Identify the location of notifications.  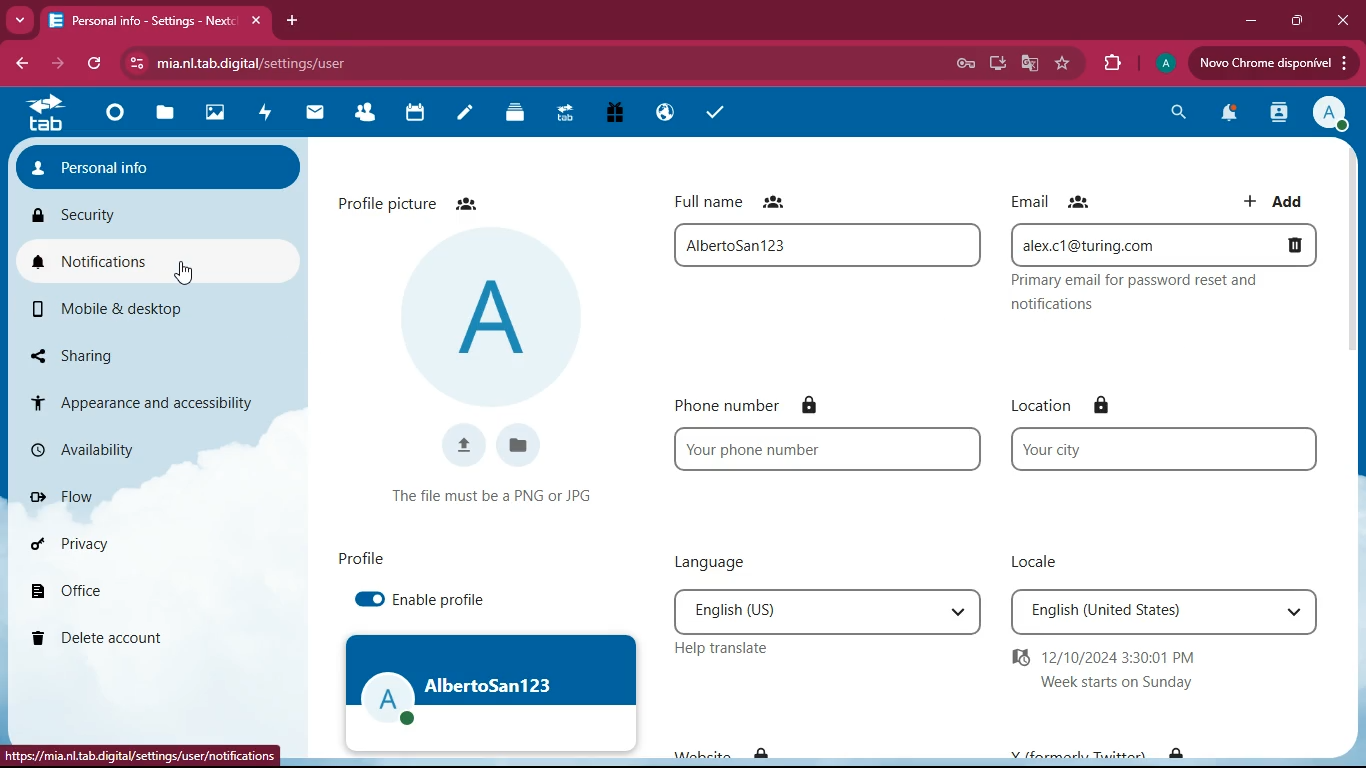
(1230, 115).